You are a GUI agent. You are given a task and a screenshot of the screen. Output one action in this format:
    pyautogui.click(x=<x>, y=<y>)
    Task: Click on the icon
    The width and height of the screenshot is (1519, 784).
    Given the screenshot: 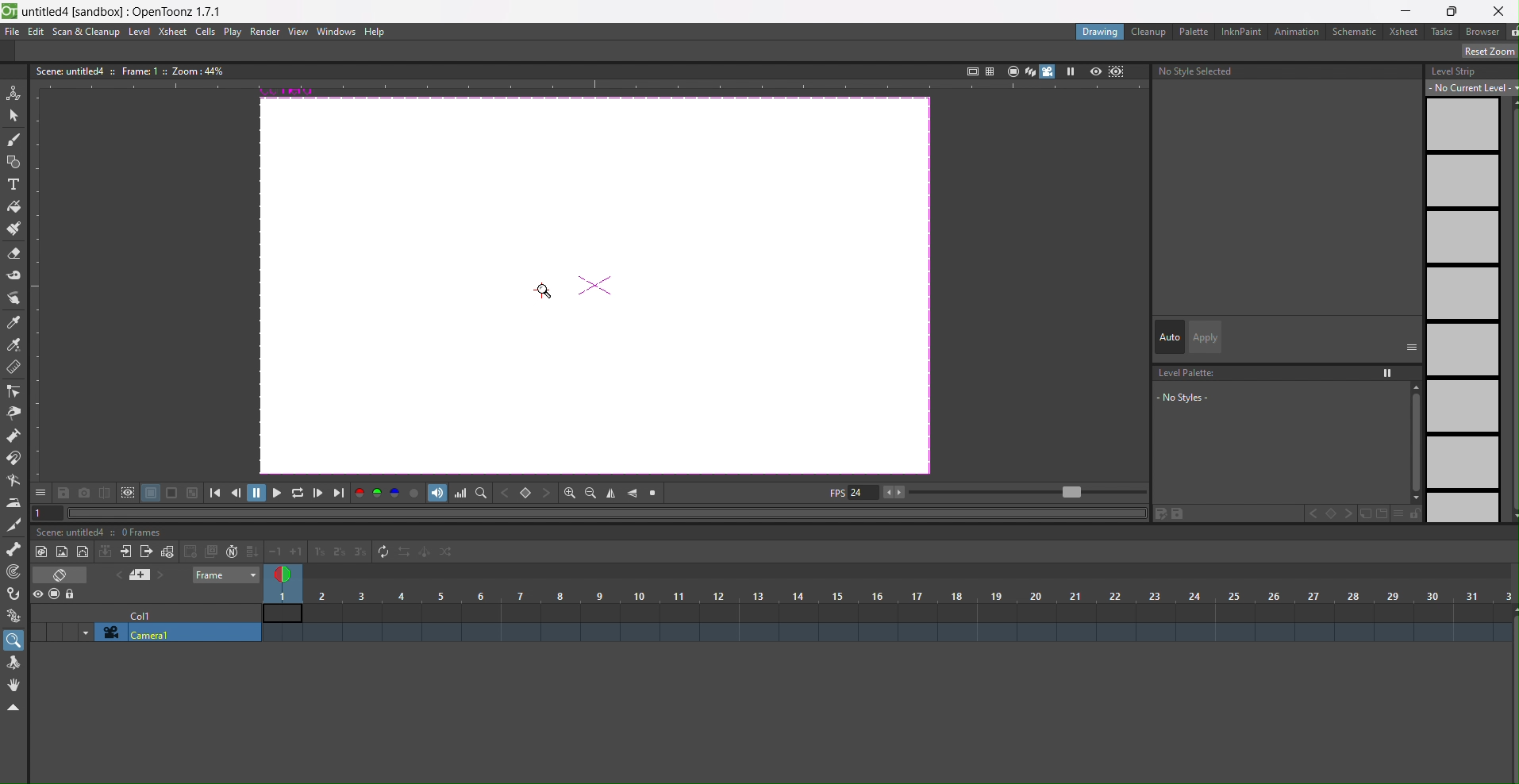 What is the action you would take?
    pyautogui.click(x=1107, y=71)
    